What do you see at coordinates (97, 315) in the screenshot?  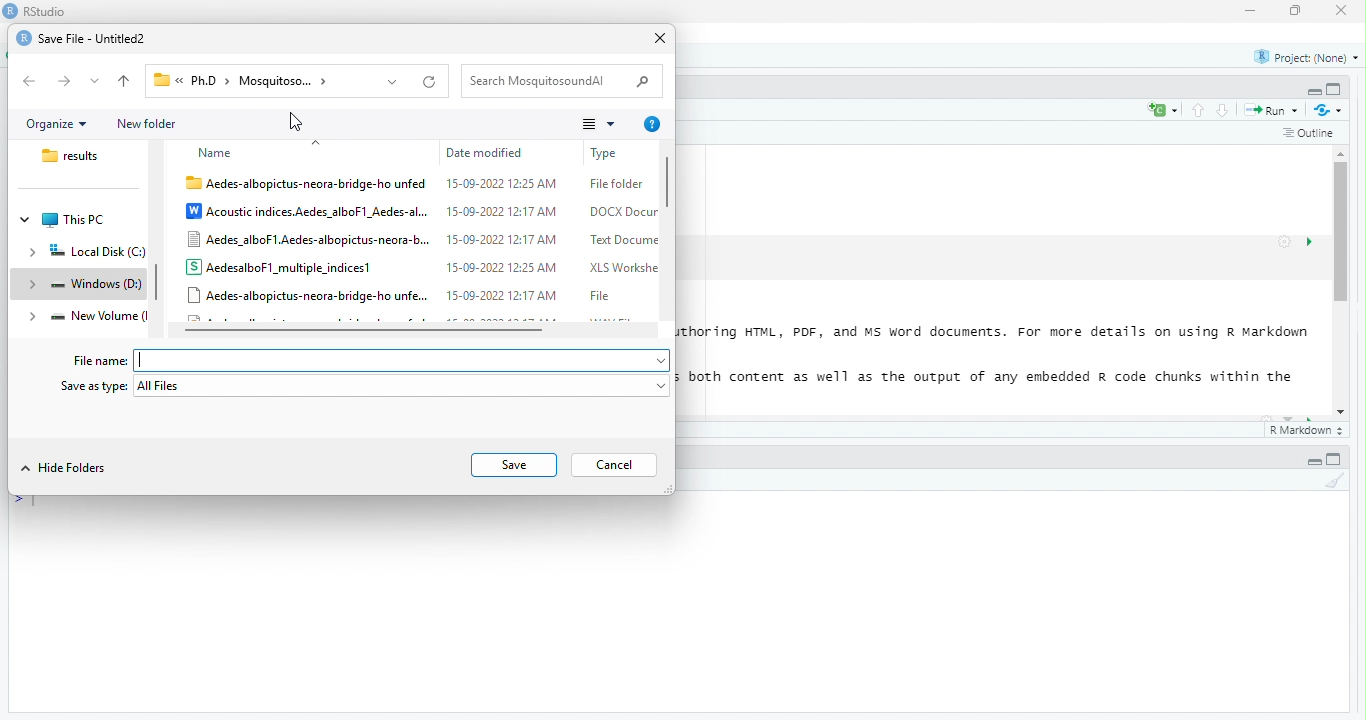 I see `New Volume (I:)` at bounding box center [97, 315].